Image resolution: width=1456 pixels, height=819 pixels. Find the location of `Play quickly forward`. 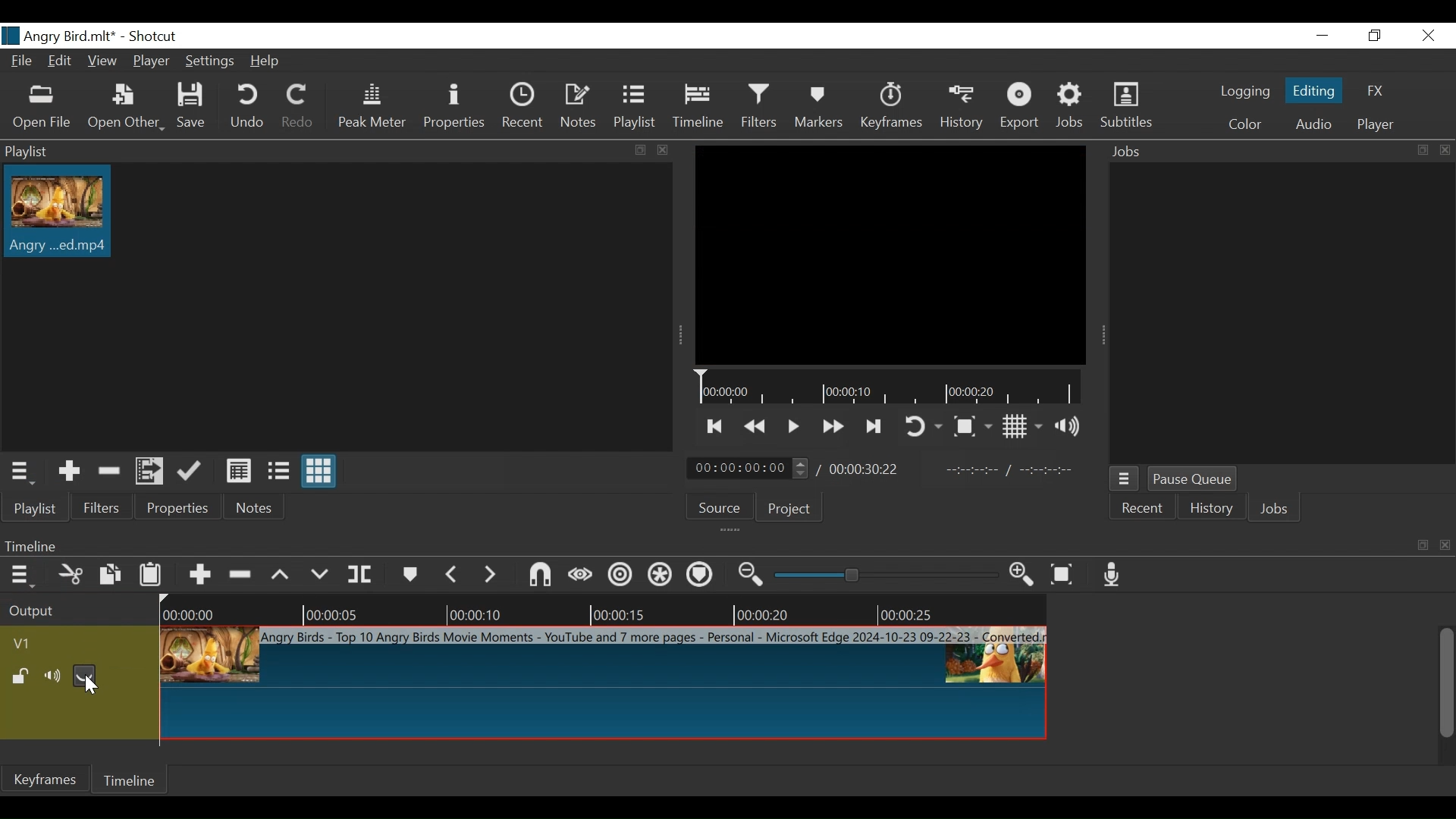

Play quickly forward is located at coordinates (830, 427).